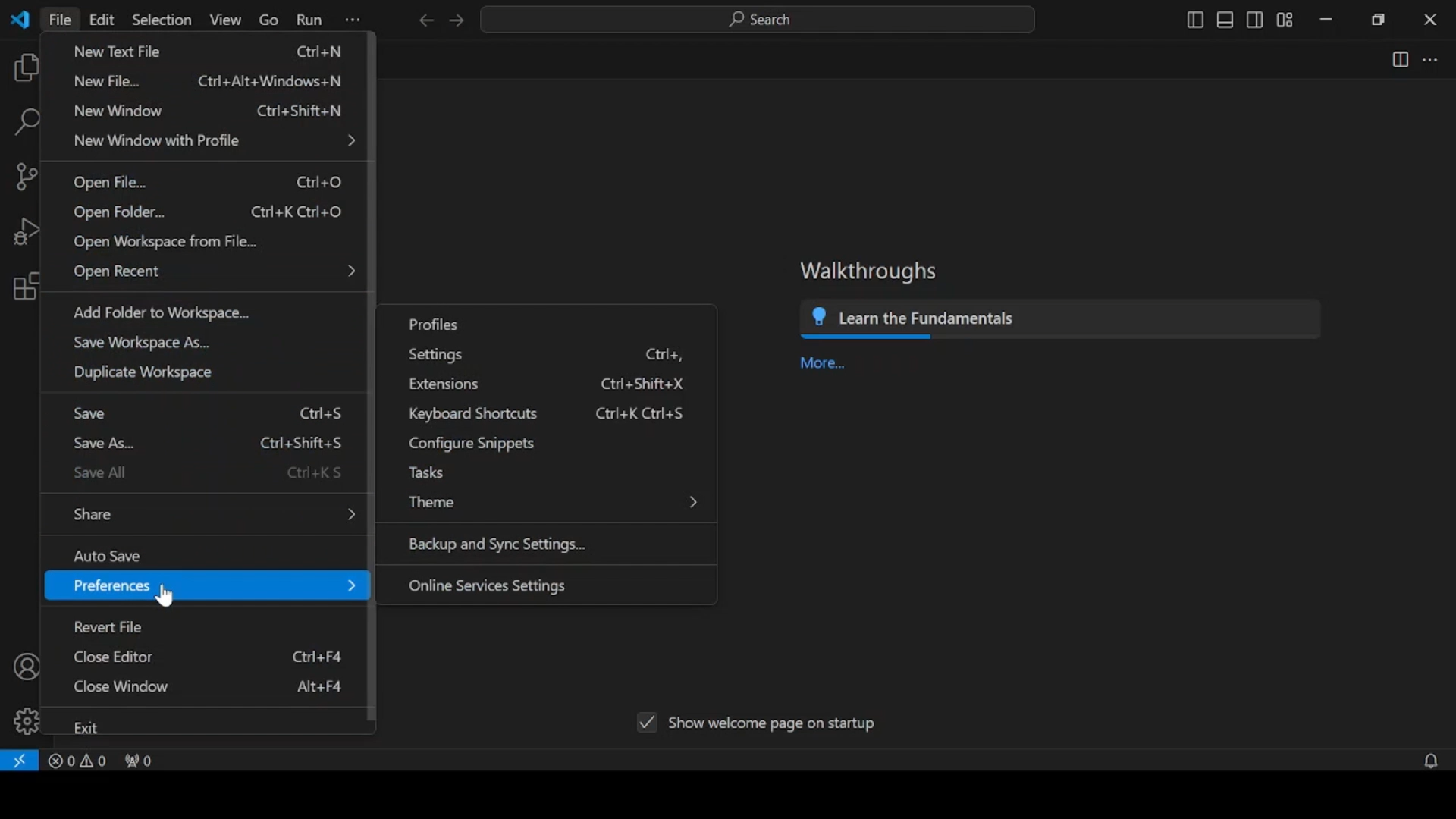  Describe the element at coordinates (108, 555) in the screenshot. I see `auto save` at that location.